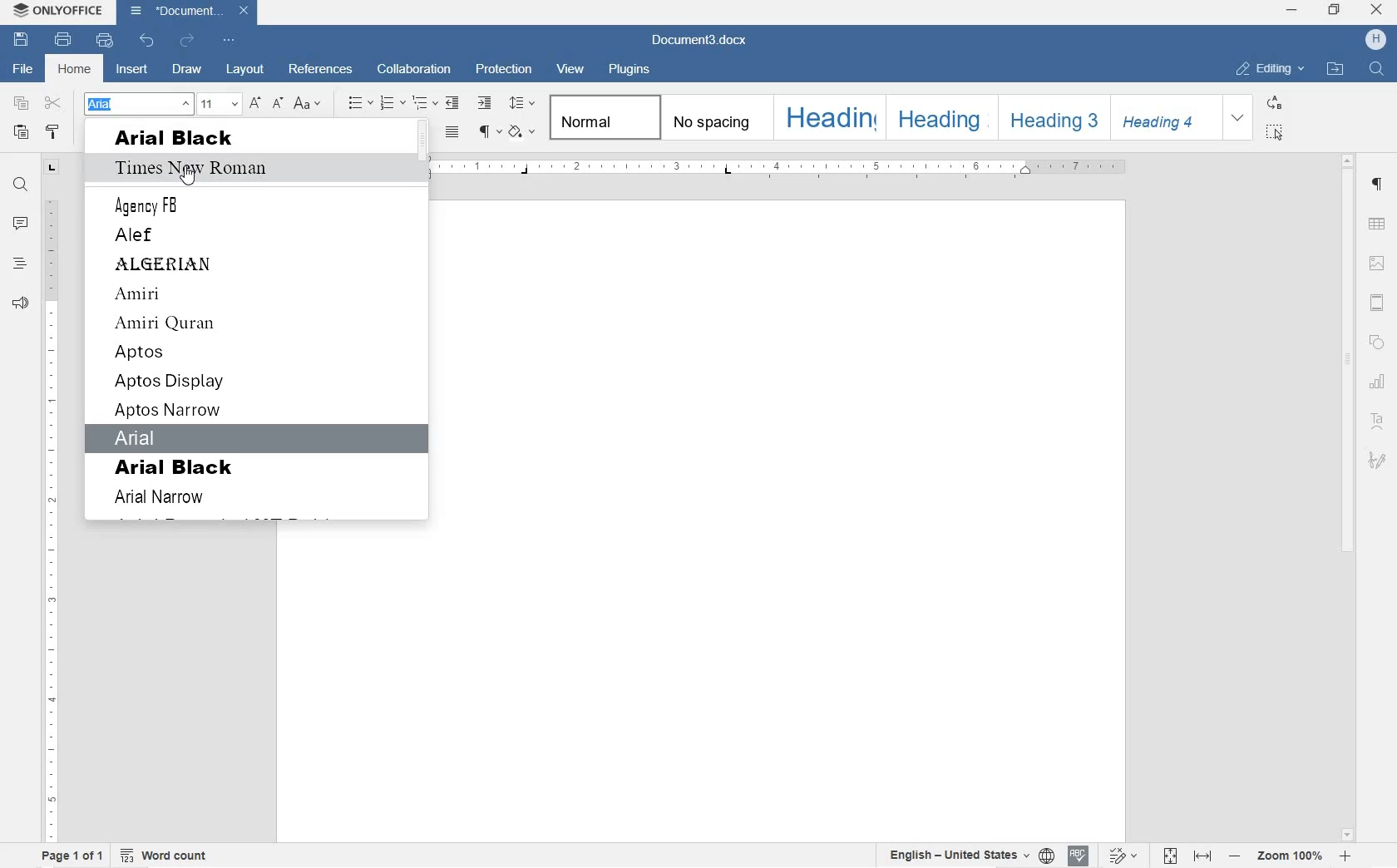 The height and width of the screenshot is (868, 1397). Describe the element at coordinates (17, 224) in the screenshot. I see `COMMENTS` at that location.